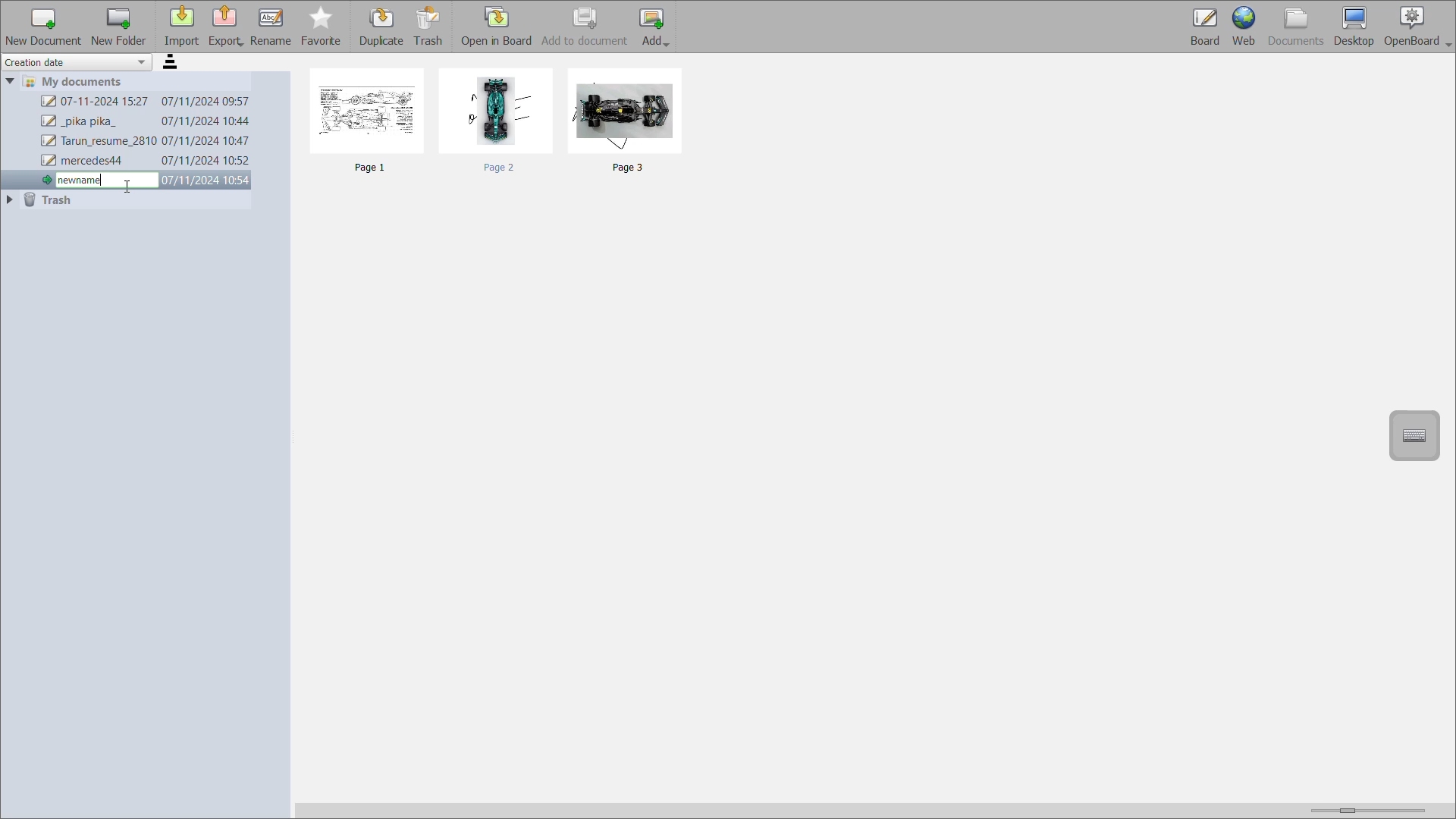  I want to click on display virtual keyboard, so click(1417, 434).